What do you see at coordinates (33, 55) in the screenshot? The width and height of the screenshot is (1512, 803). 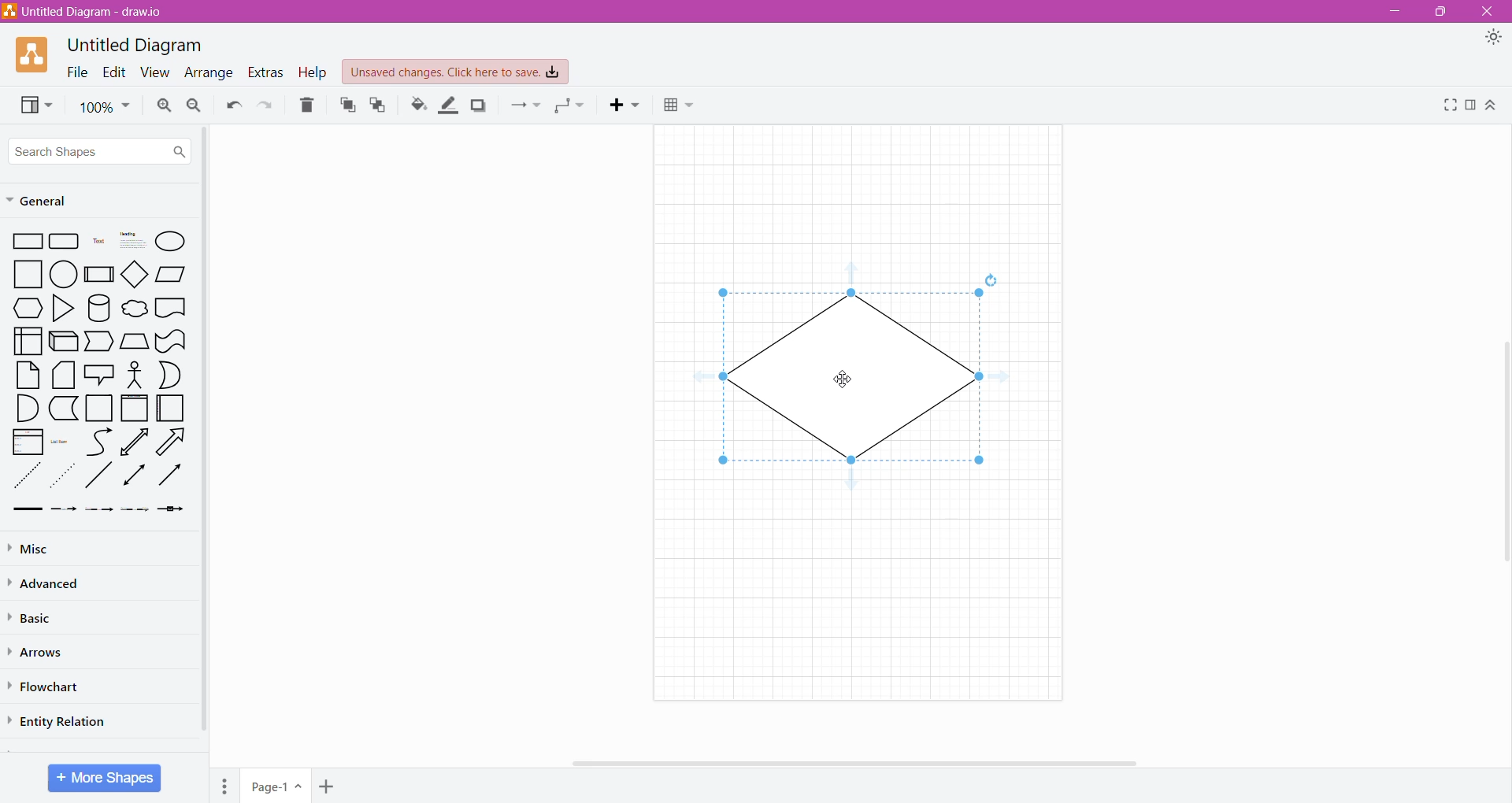 I see `Application Logo` at bounding box center [33, 55].